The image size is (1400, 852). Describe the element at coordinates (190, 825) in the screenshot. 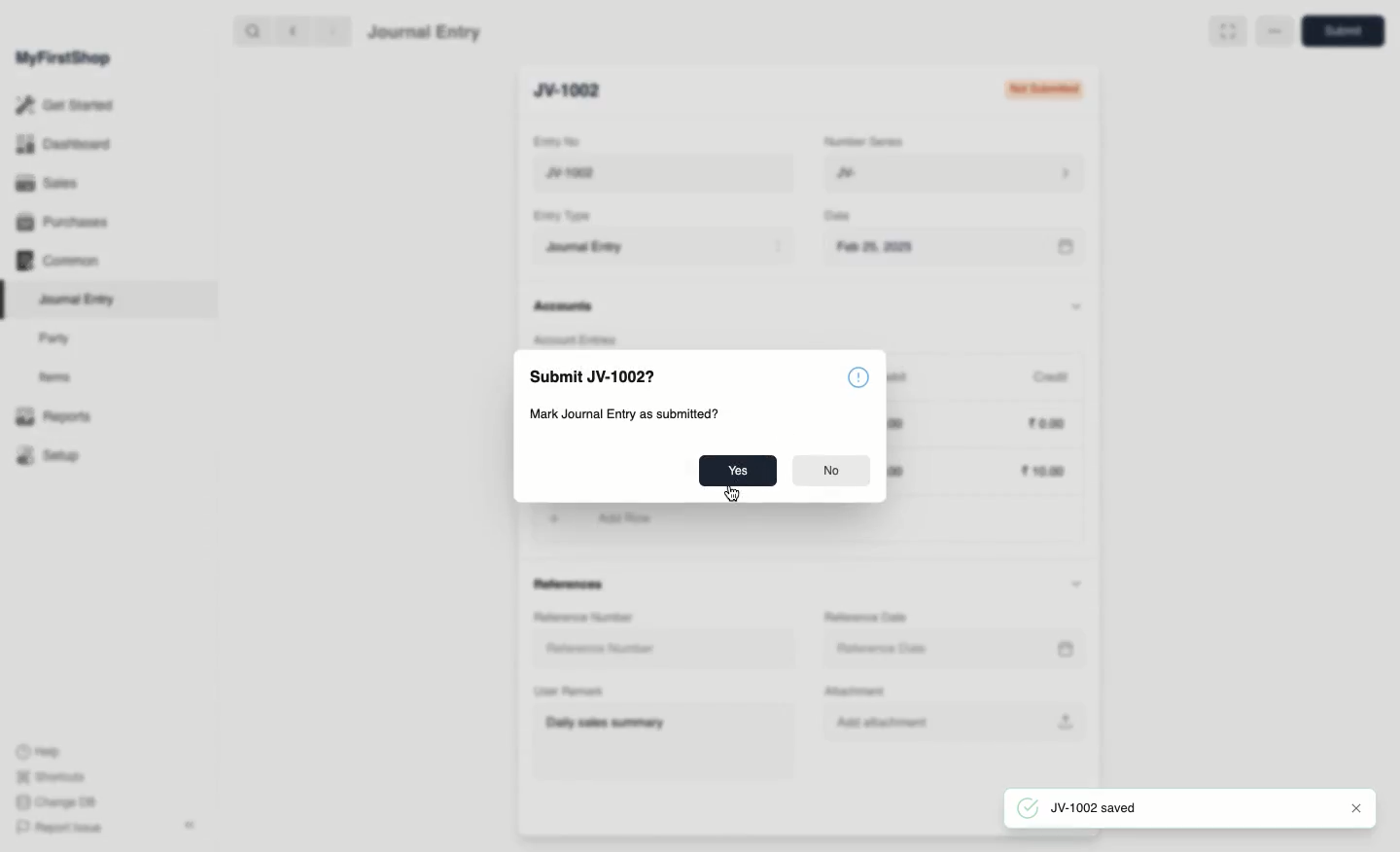

I see `Collapse` at that location.